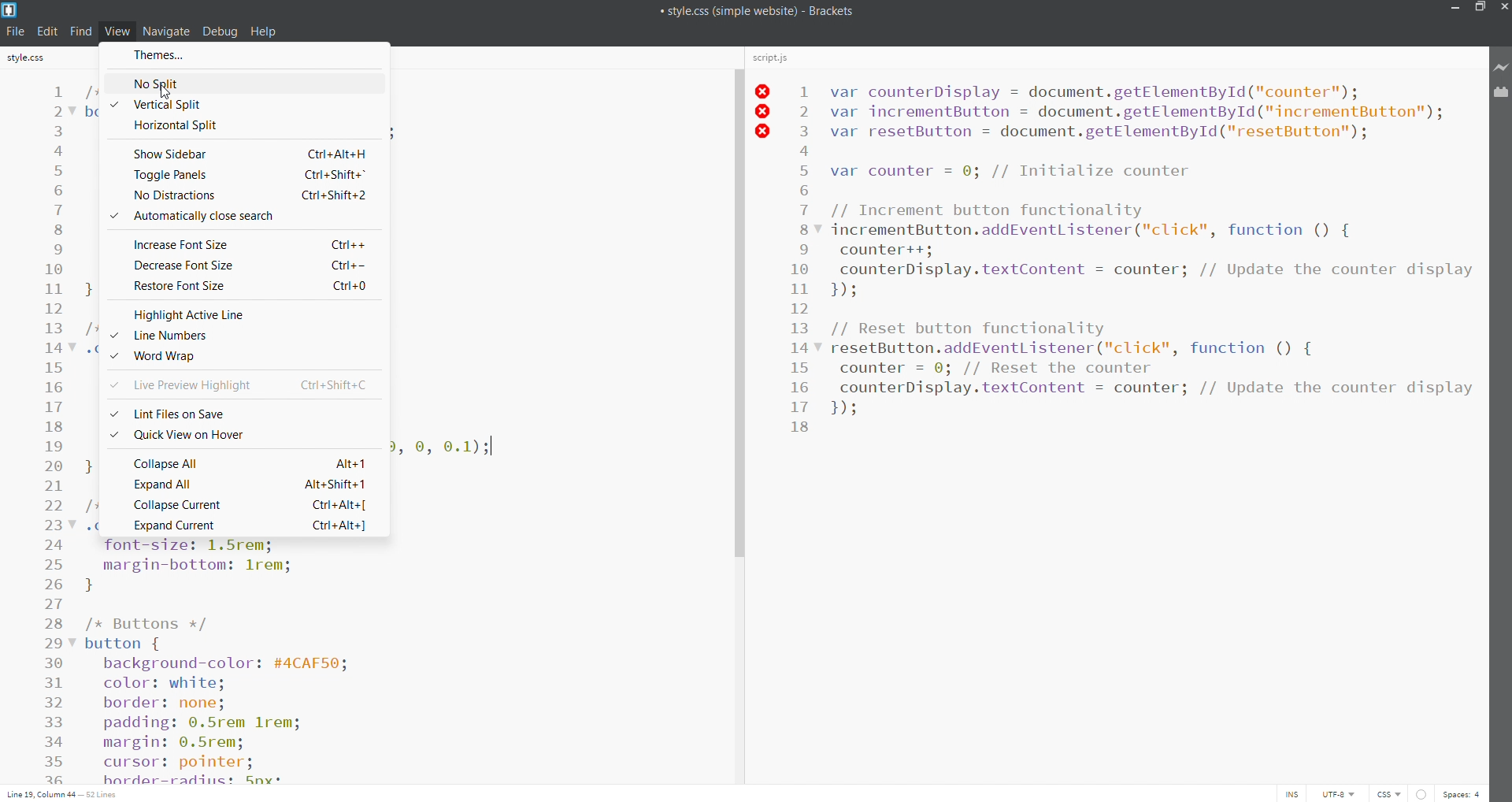  I want to click on title bar, so click(716, 11).